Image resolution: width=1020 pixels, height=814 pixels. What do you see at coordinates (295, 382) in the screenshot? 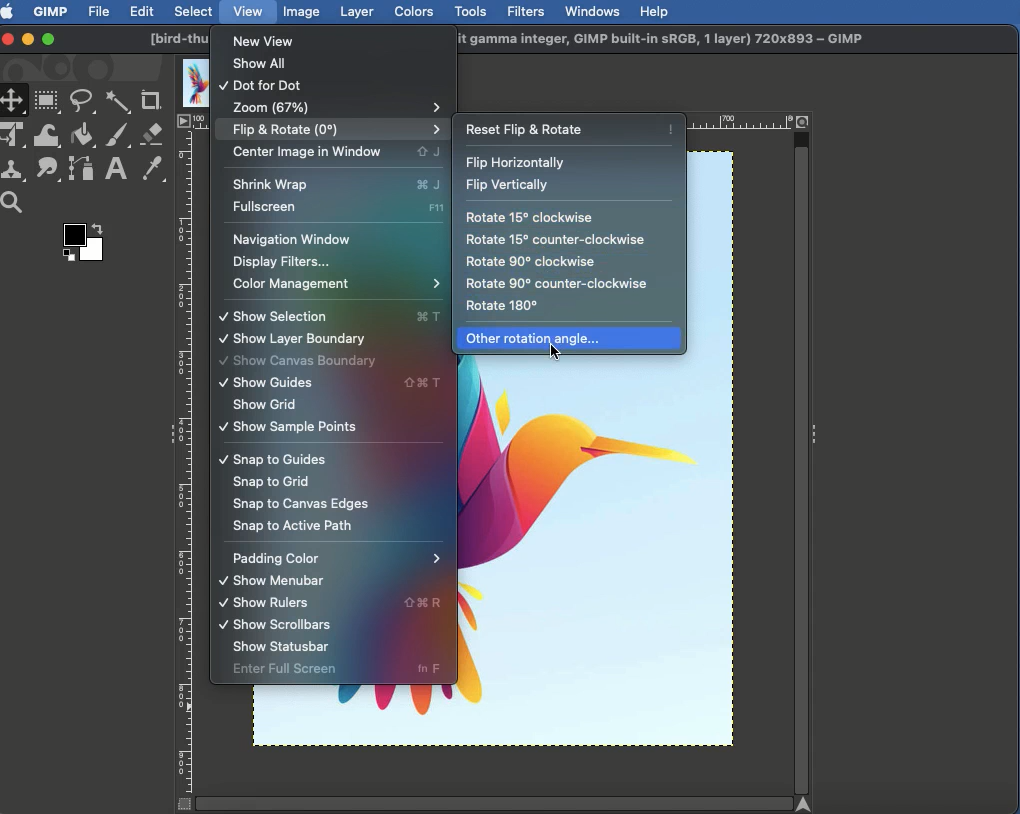
I see `Show guides` at bounding box center [295, 382].